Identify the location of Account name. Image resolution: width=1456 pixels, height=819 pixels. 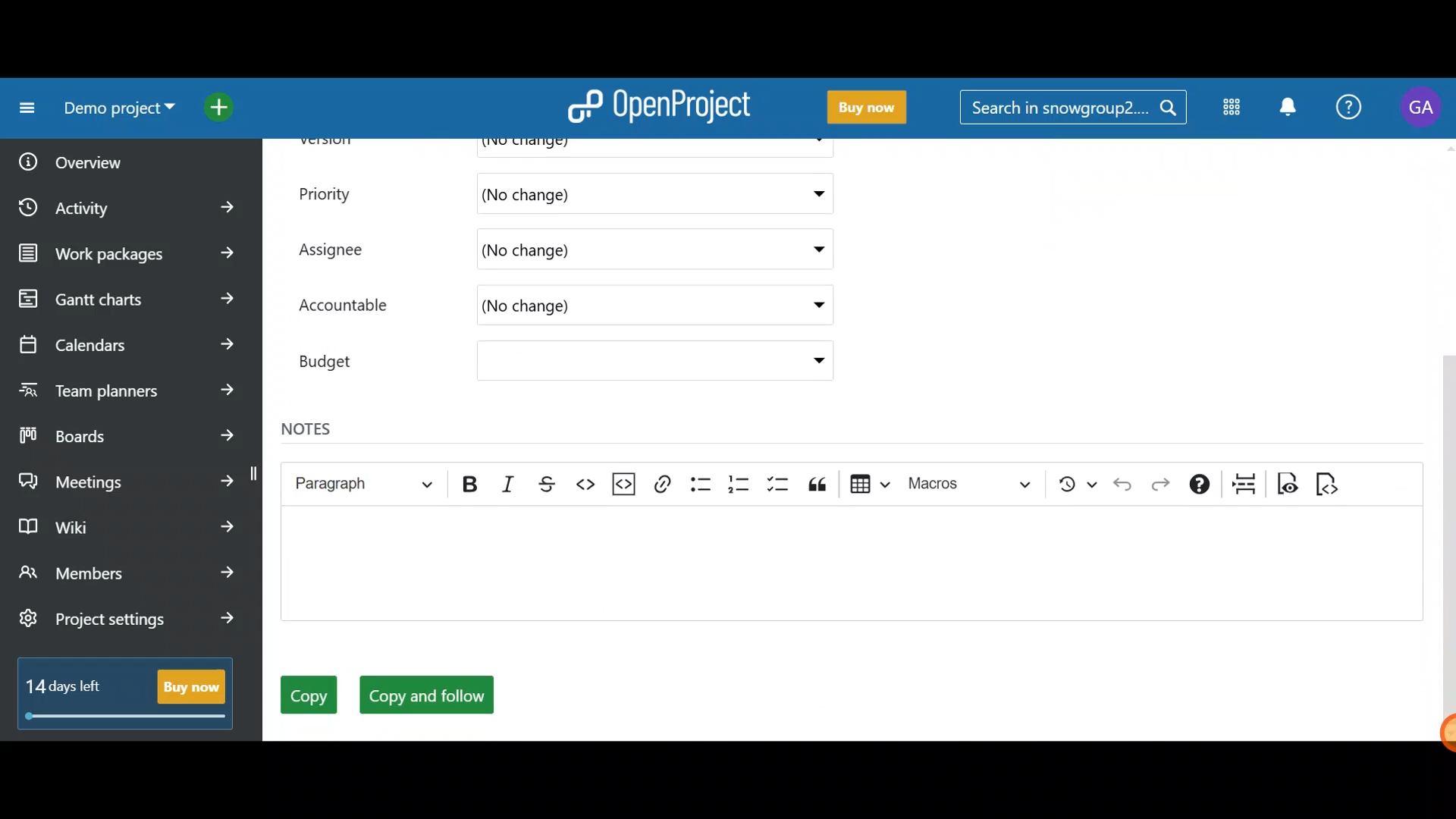
(1421, 108).